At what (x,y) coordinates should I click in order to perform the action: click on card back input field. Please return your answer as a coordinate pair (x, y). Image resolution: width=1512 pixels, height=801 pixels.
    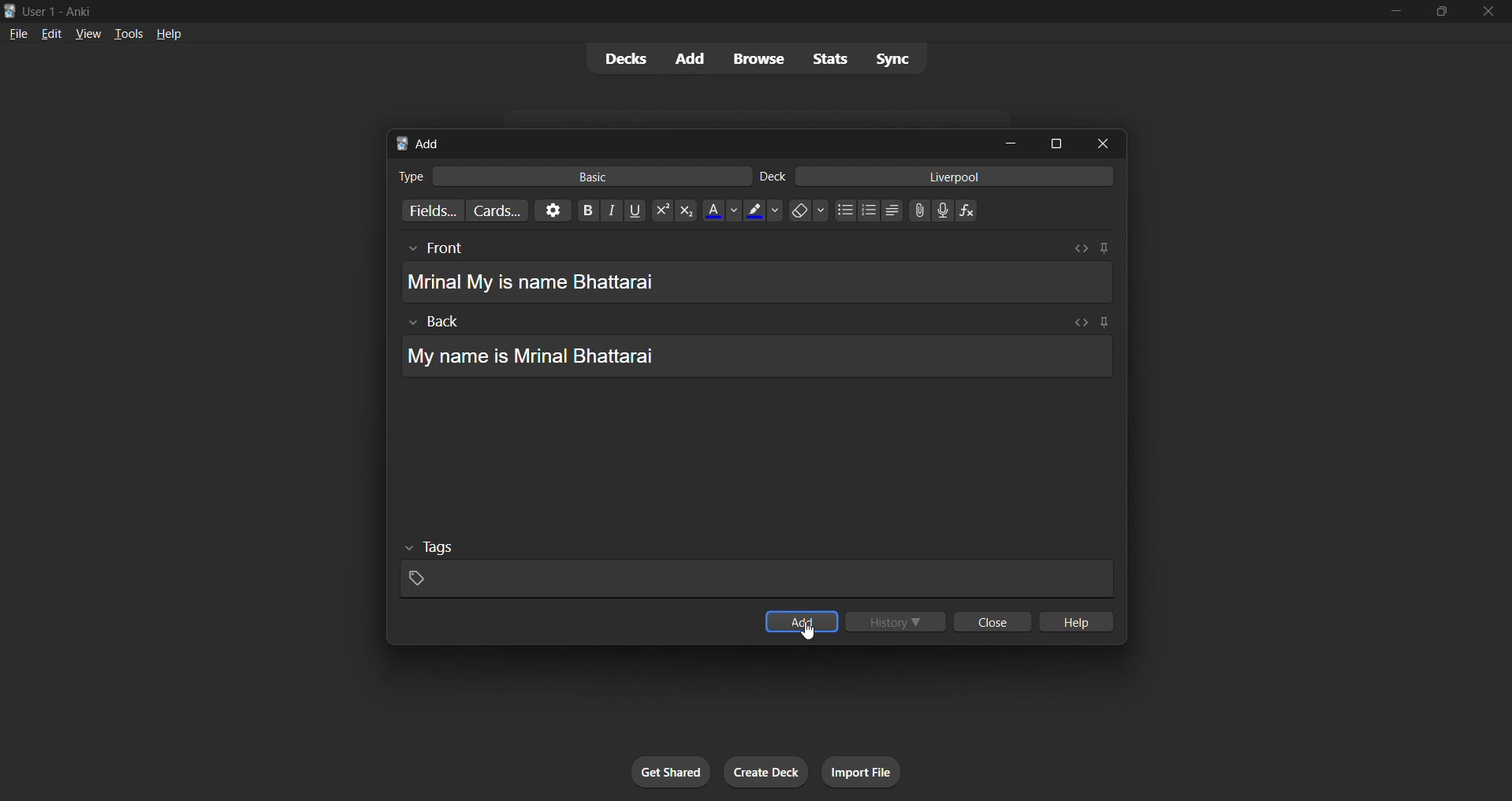
    Looking at the image, I should click on (757, 346).